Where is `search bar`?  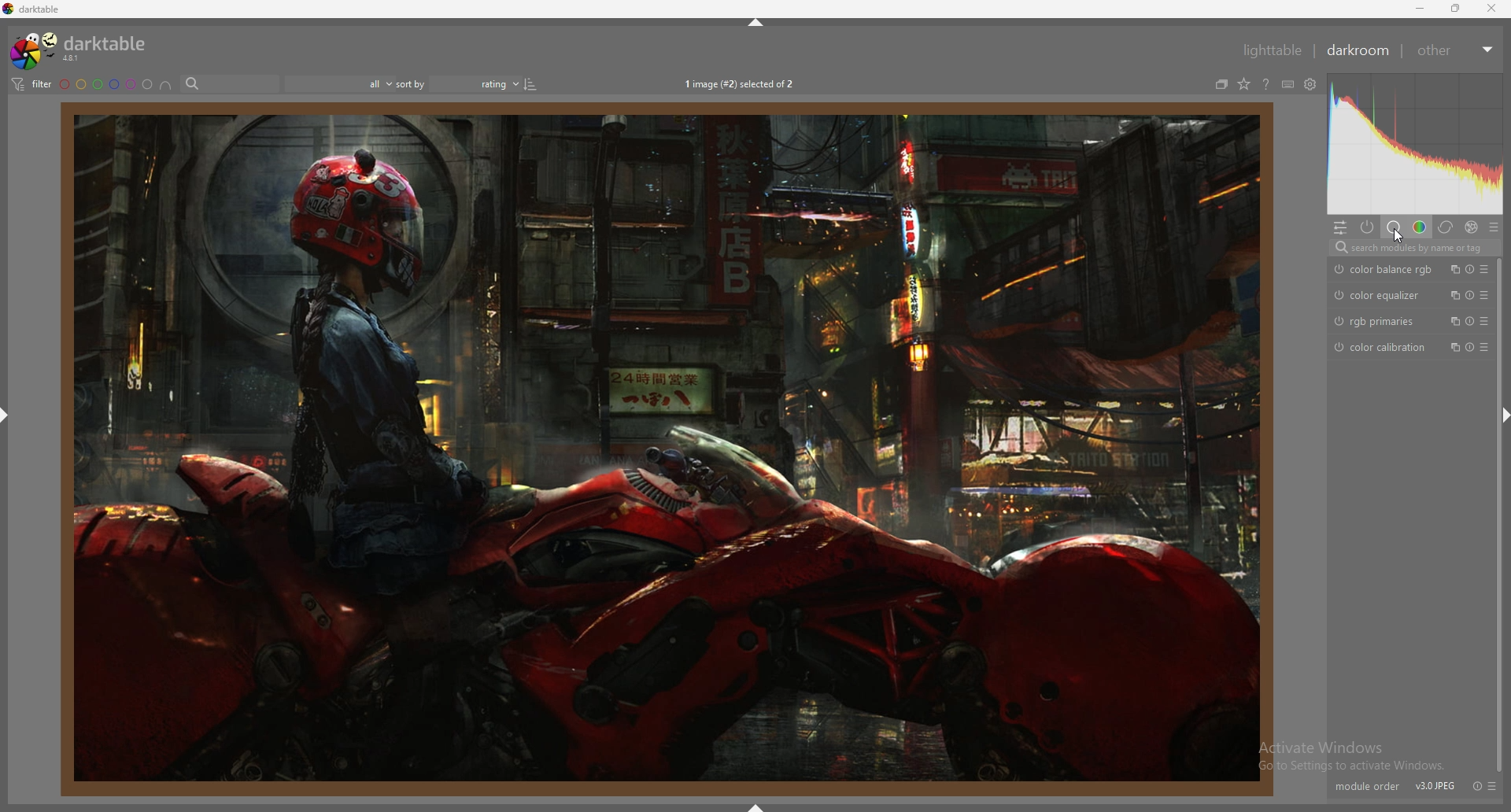
search bar is located at coordinates (229, 83).